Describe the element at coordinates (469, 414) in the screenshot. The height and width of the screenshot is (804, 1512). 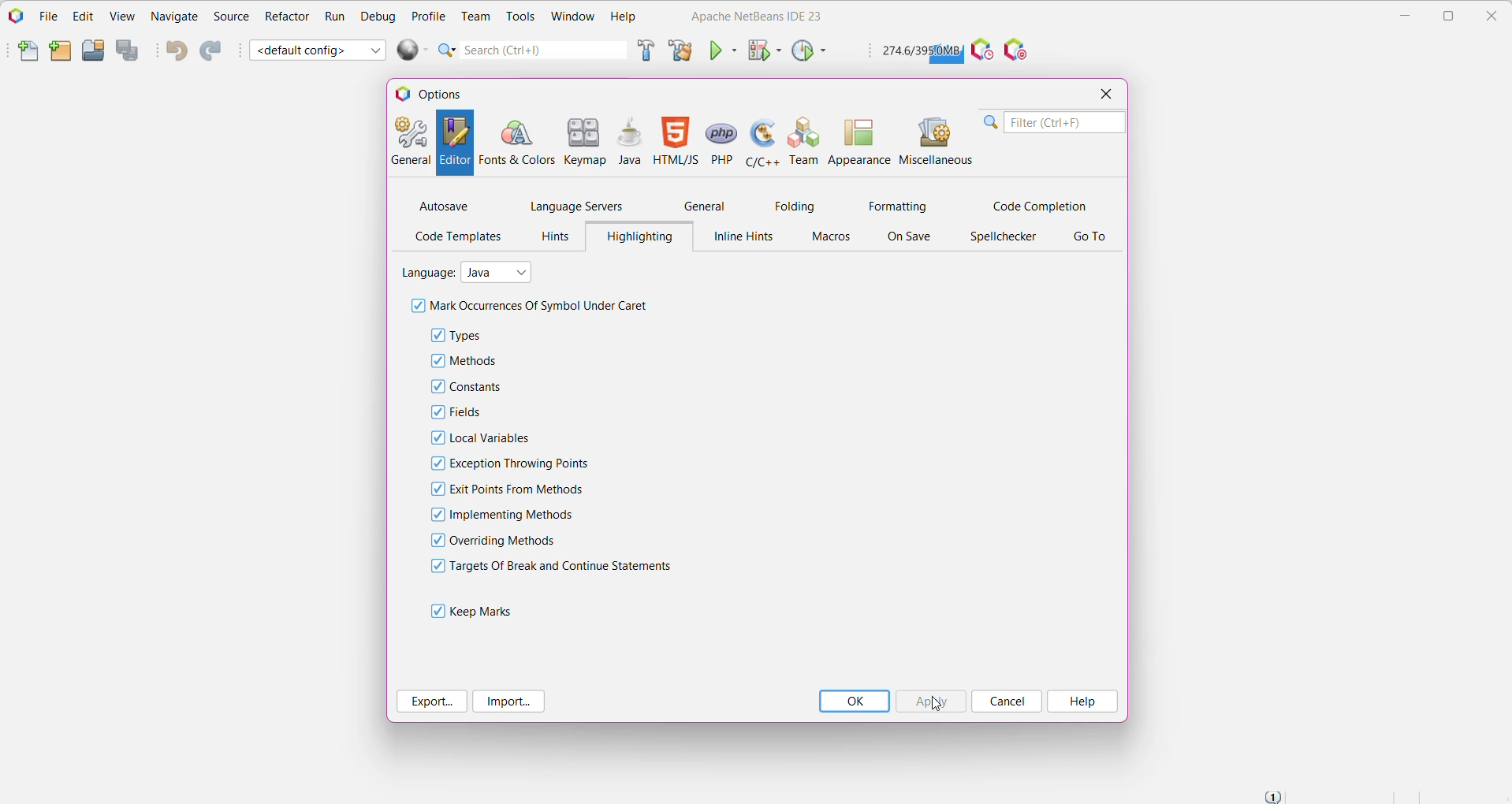
I see `Fields - click to enable` at that location.